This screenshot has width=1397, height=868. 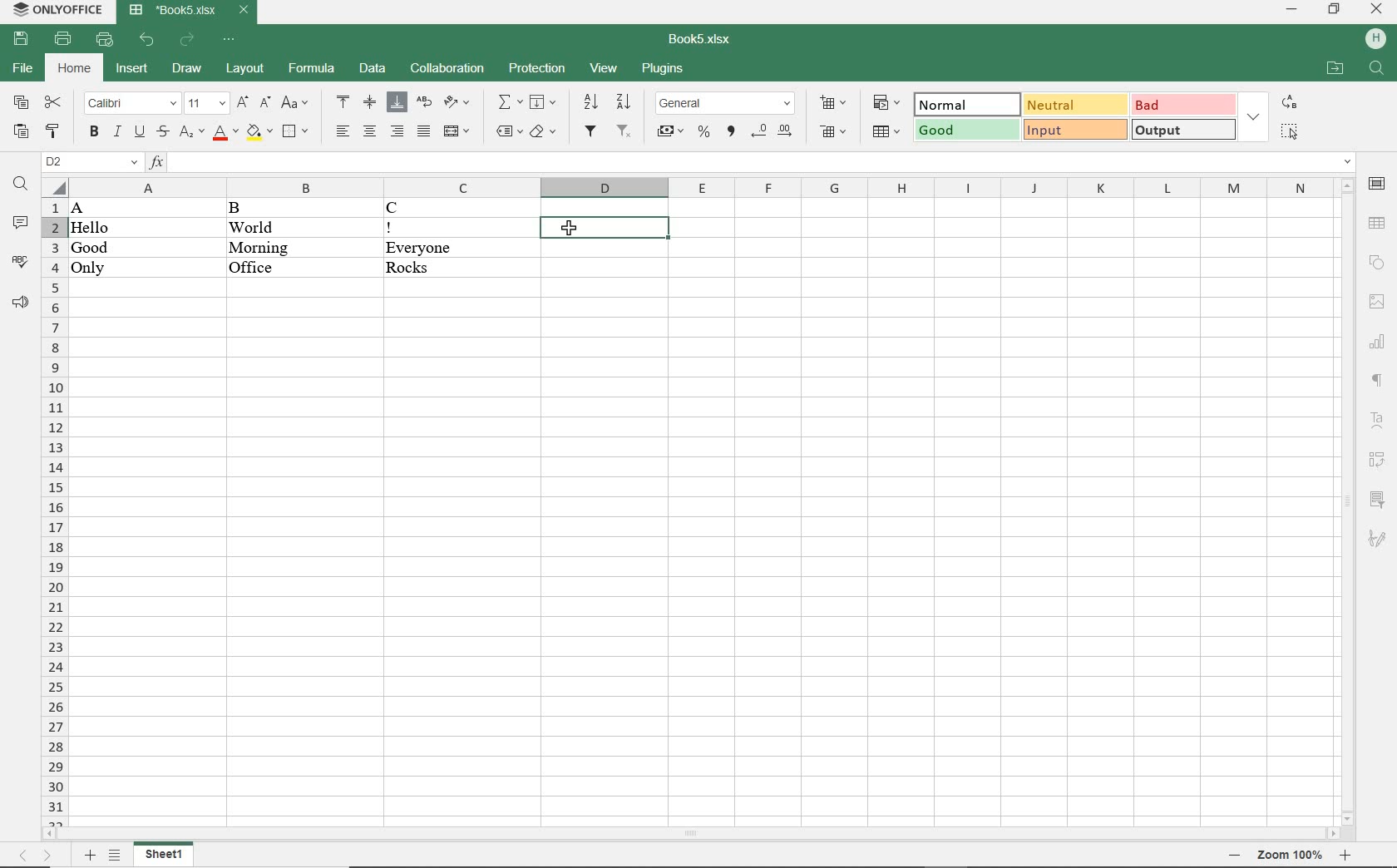 I want to click on SHAPE, so click(x=1375, y=260).